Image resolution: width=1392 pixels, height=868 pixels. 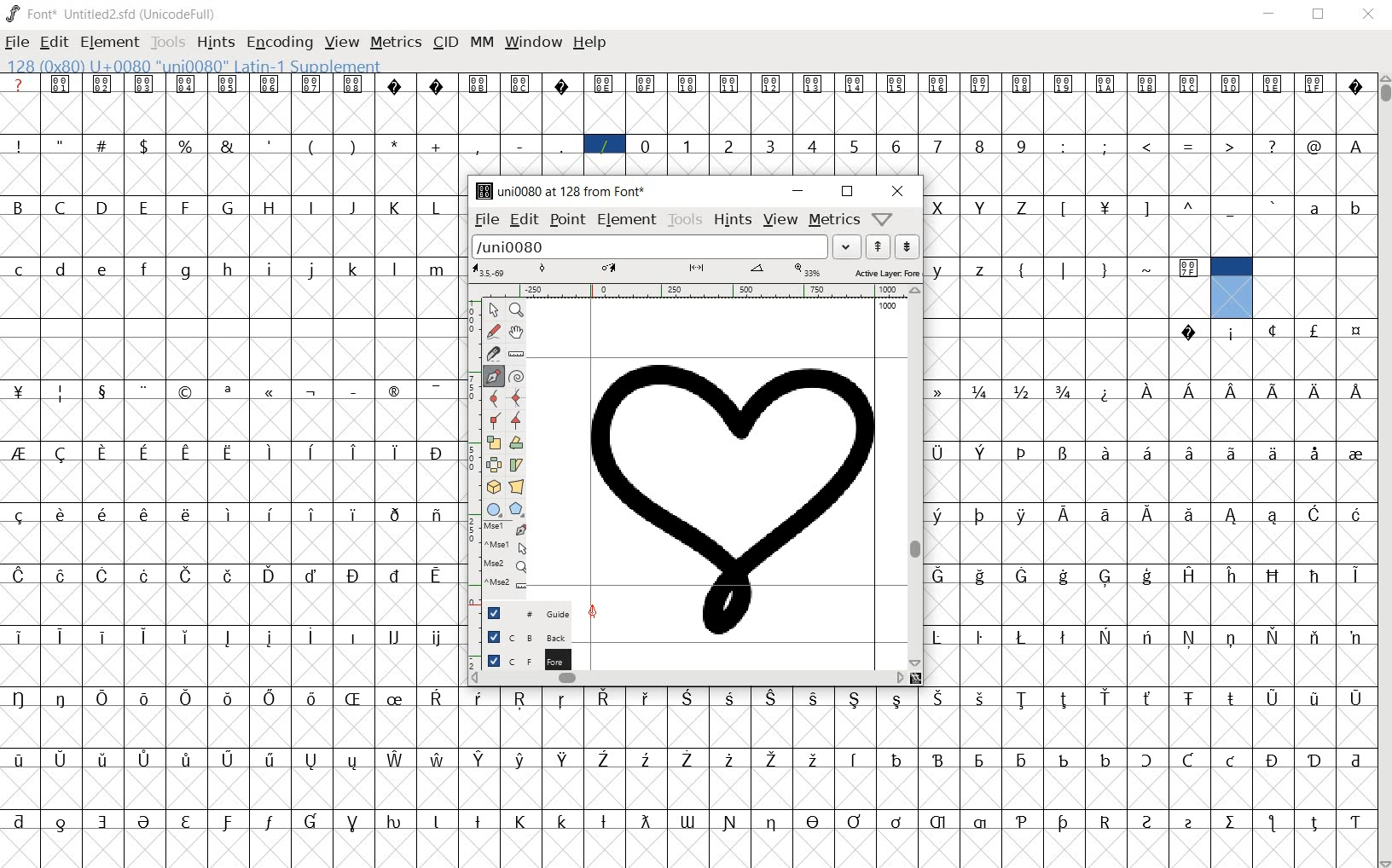 What do you see at coordinates (603, 84) in the screenshot?
I see `glyph` at bounding box center [603, 84].